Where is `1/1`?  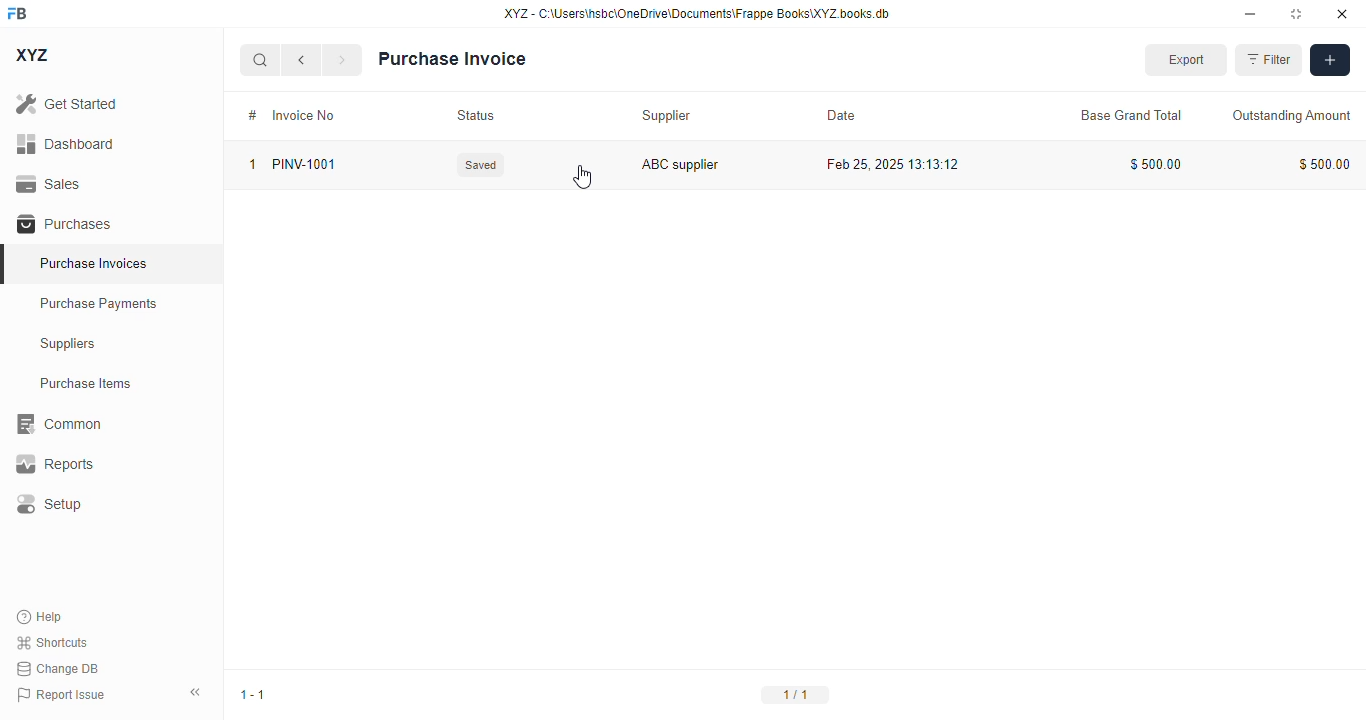 1/1 is located at coordinates (793, 694).